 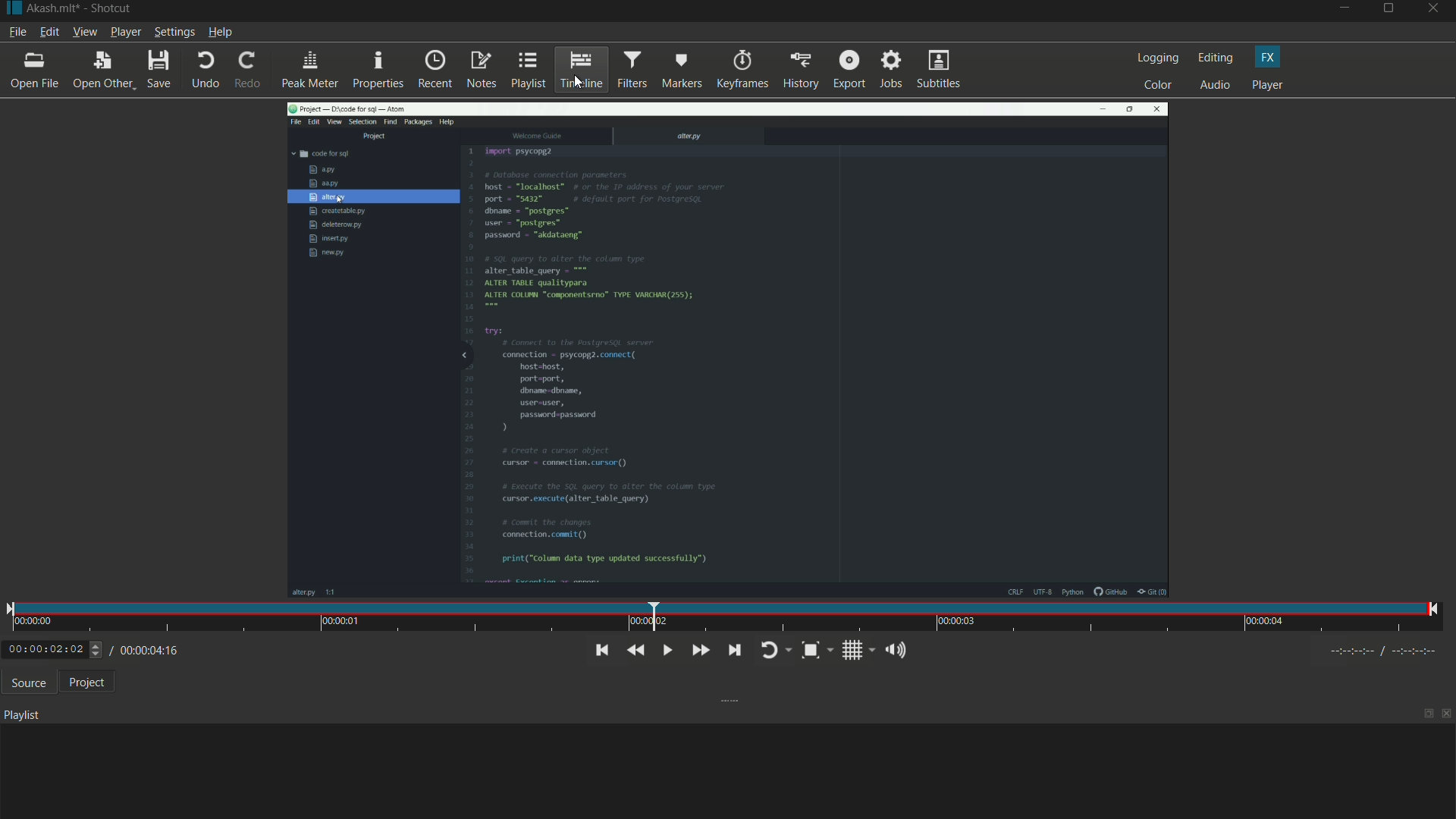 I want to click on maximize, so click(x=1428, y=714).